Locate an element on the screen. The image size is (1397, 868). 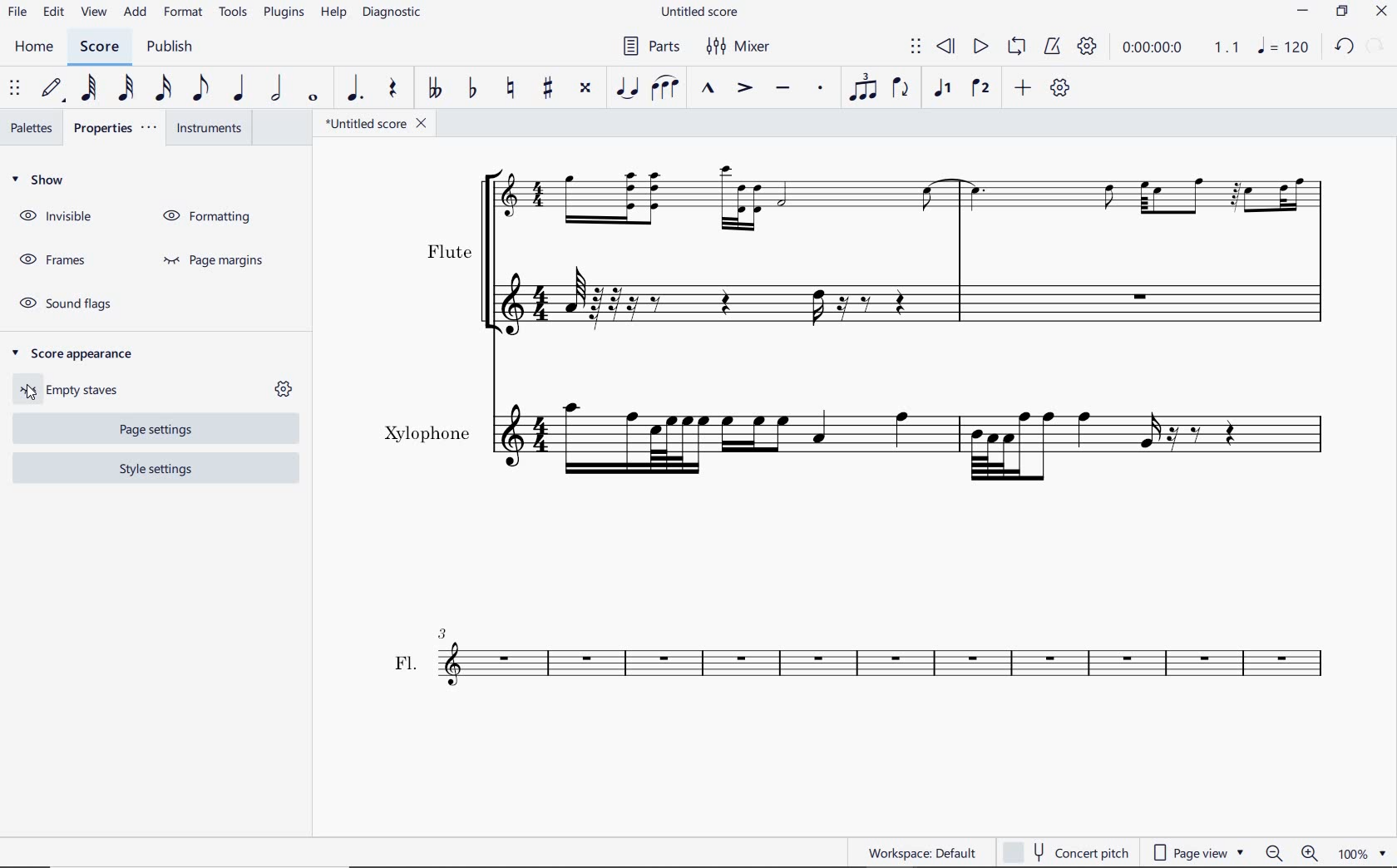
PLAY TIME is located at coordinates (1136, 49).